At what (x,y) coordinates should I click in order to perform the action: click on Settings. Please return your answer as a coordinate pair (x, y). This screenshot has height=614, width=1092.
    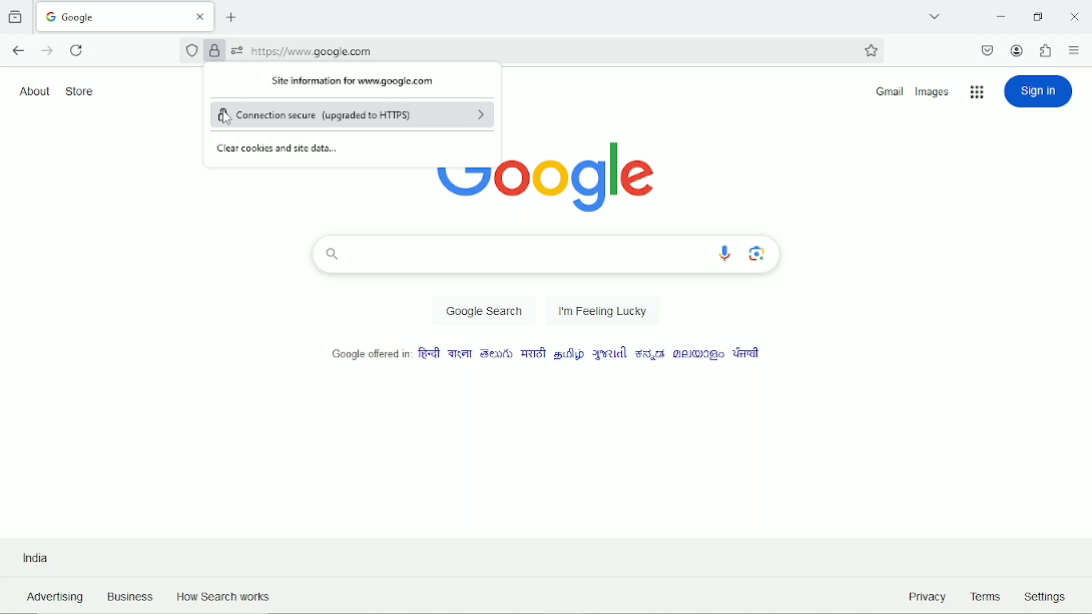
    Looking at the image, I should click on (1044, 593).